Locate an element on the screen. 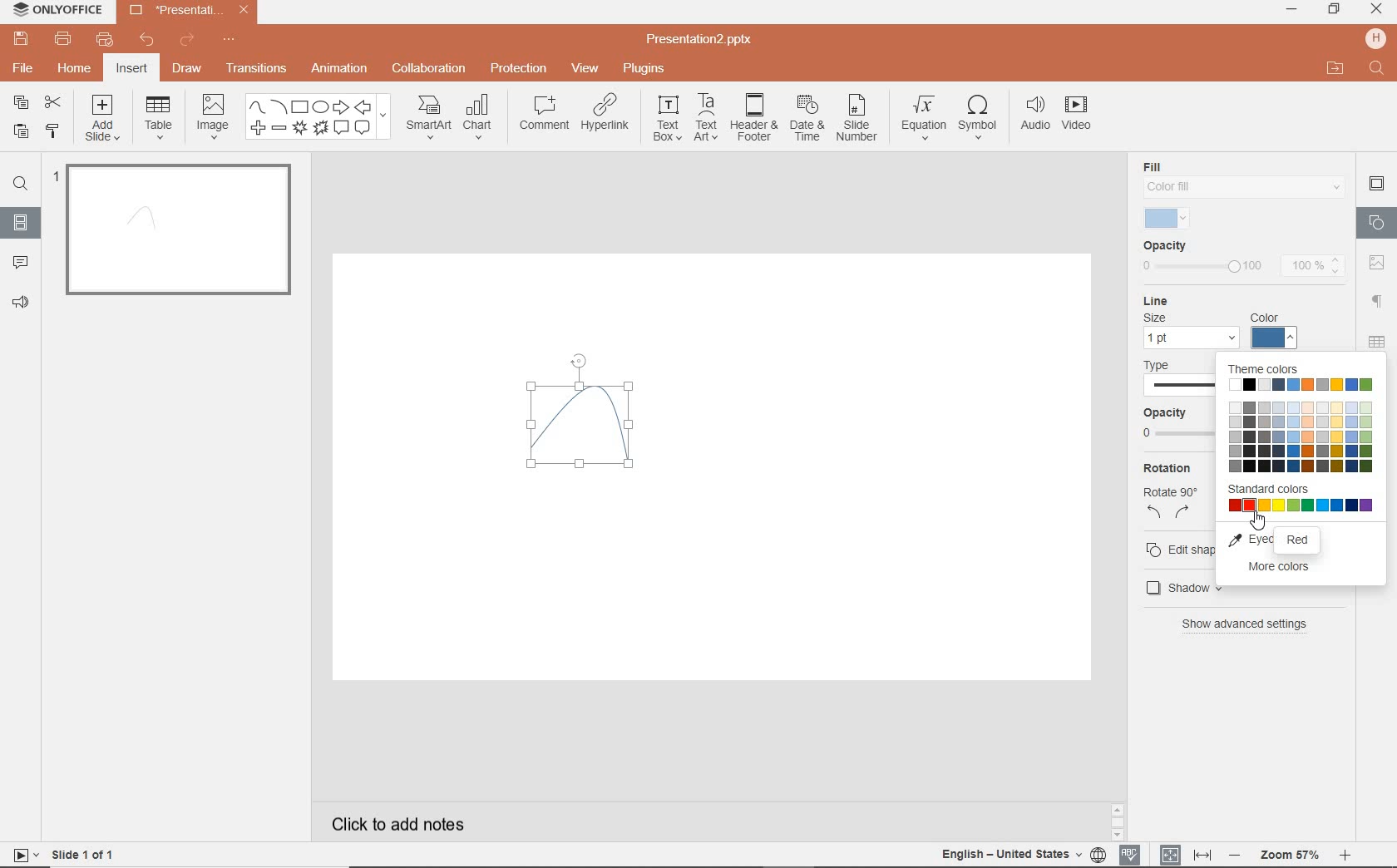 Image resolution: width=1397 pixels, height=868 pixels. PROTECTION is located at coordinates (519, 68).